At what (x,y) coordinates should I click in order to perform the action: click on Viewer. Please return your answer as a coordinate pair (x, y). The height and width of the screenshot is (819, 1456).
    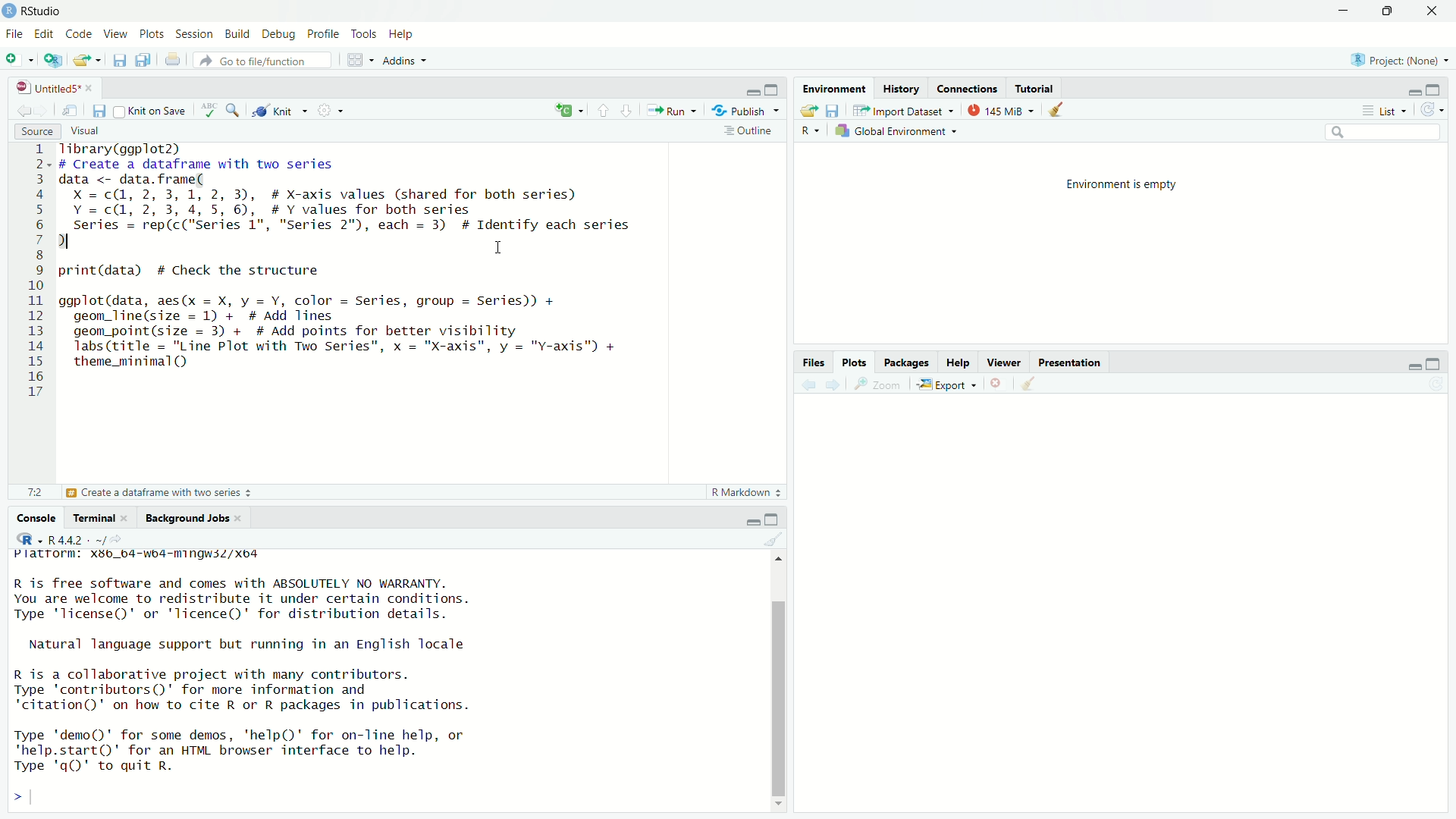
    Looking at the image, I should click on (1003, 362).